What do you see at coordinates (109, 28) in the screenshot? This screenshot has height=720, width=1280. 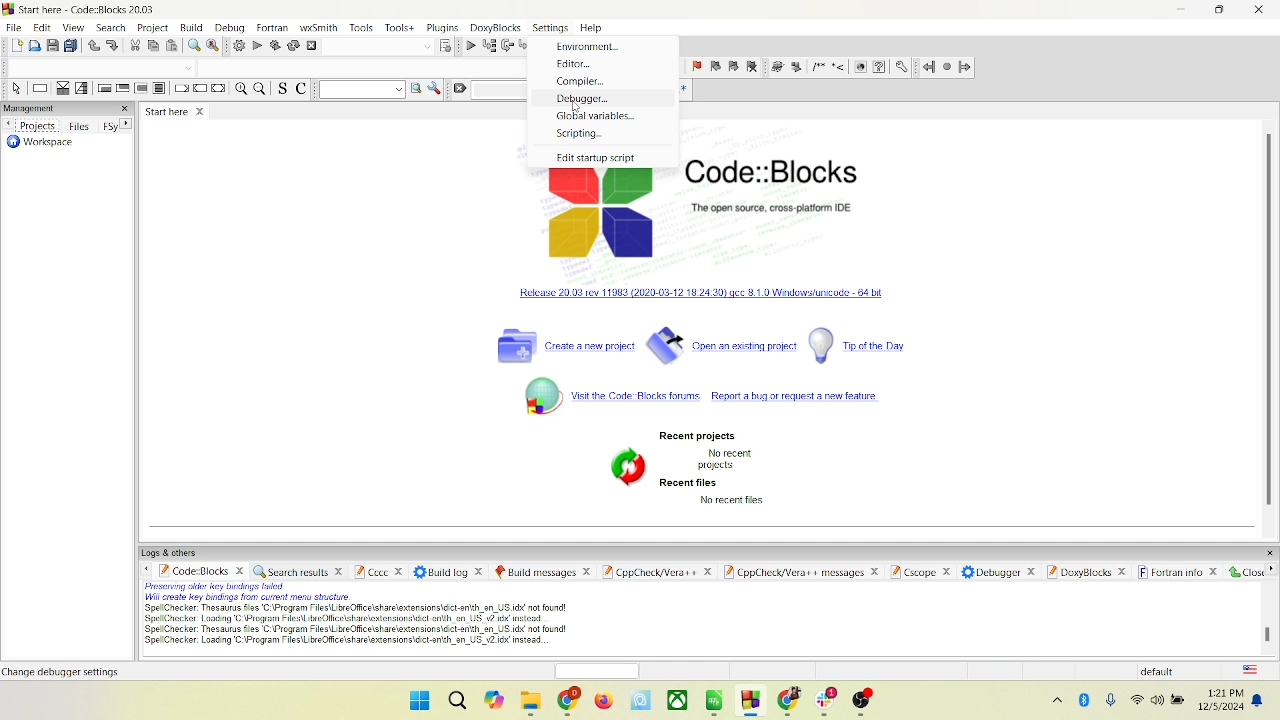 I see `search` at bounding box center [109, 28].